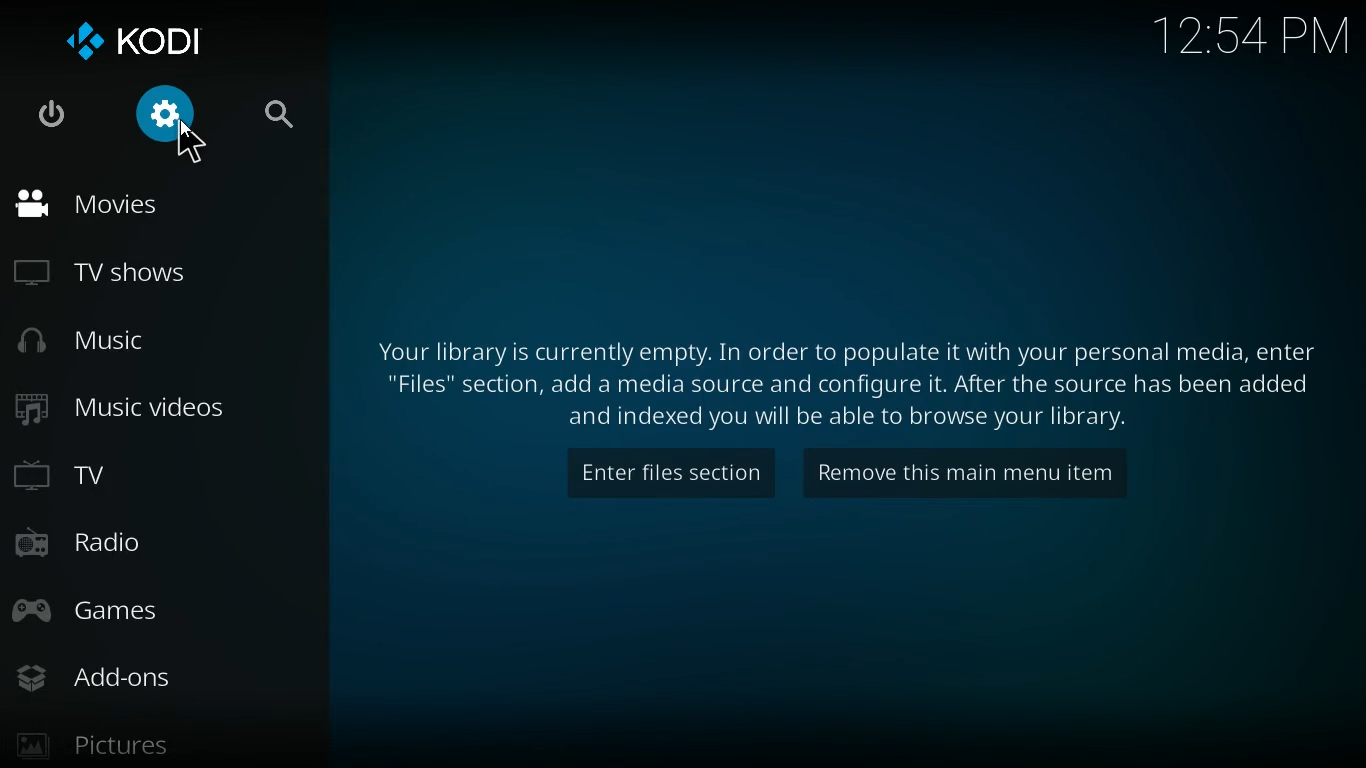 The image size is (1366, 768). Describe the element at coordinates (671, 476) in the screenshot. I see `enter files` at that location.